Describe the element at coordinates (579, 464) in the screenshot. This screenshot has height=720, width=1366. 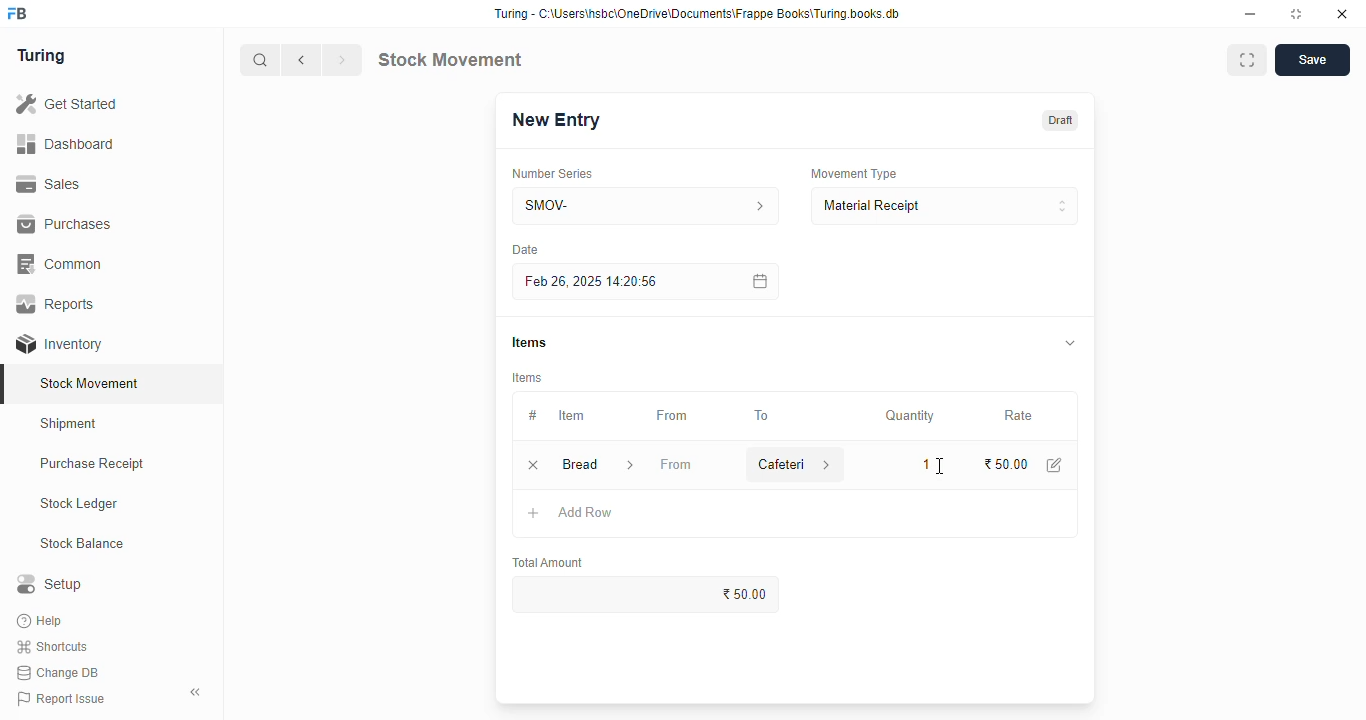
I see `bread` at that location.